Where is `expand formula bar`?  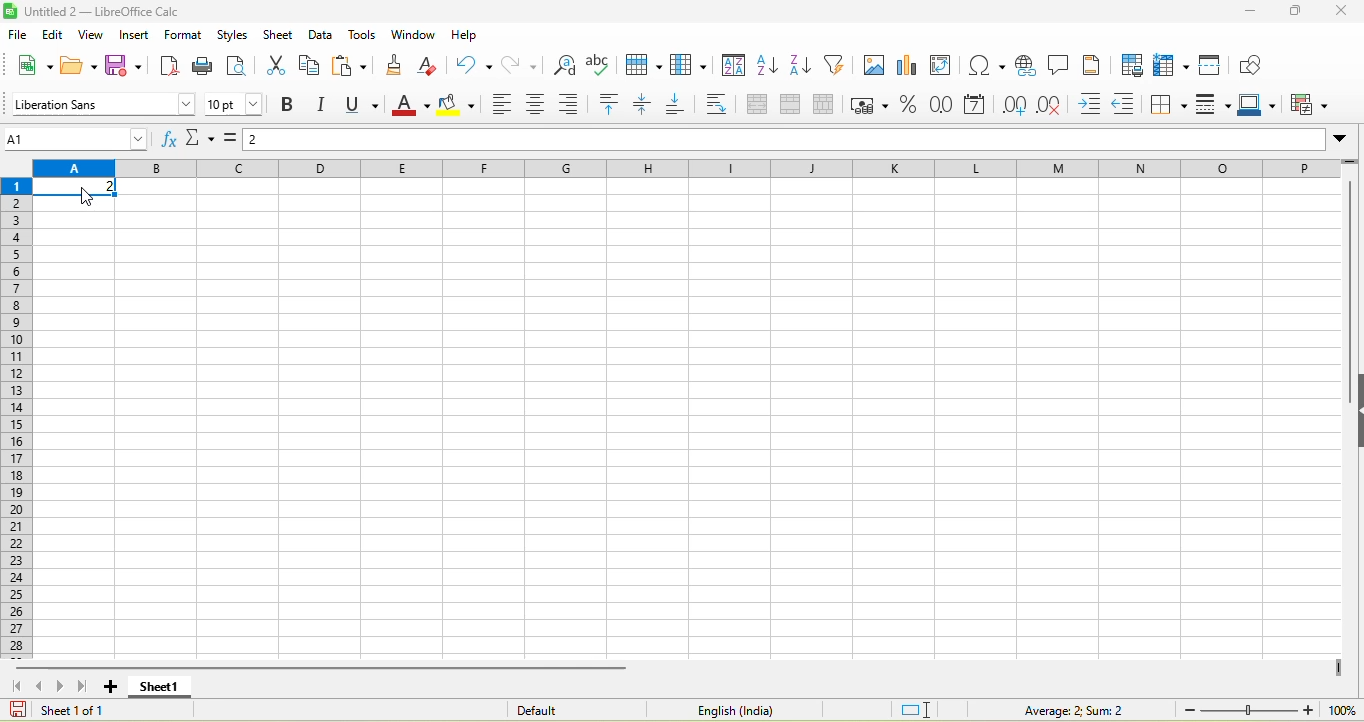
expand formula bar is located at coordinates (1347, 140).